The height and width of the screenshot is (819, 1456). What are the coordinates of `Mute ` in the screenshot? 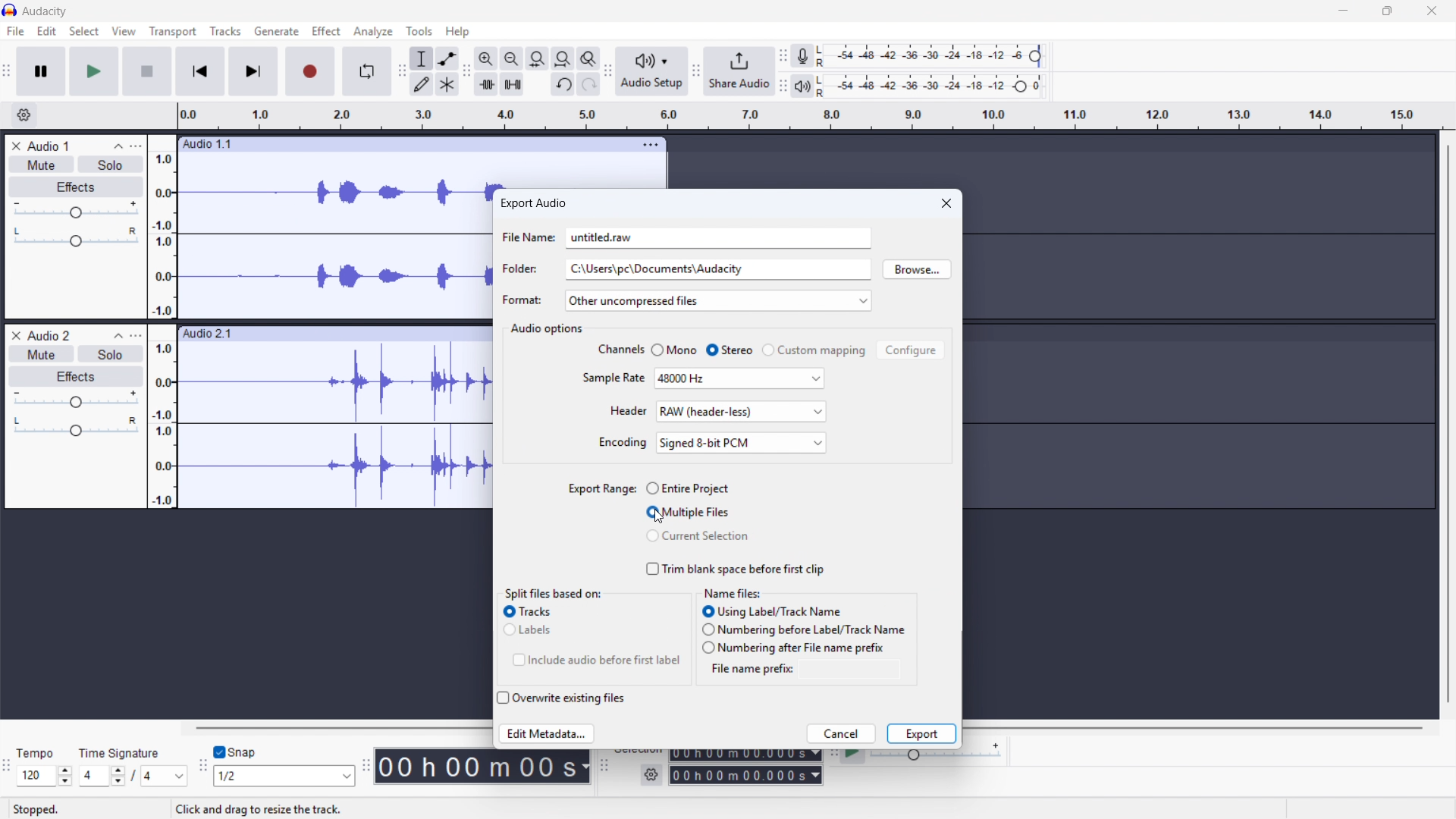 It's located at (42, 353).